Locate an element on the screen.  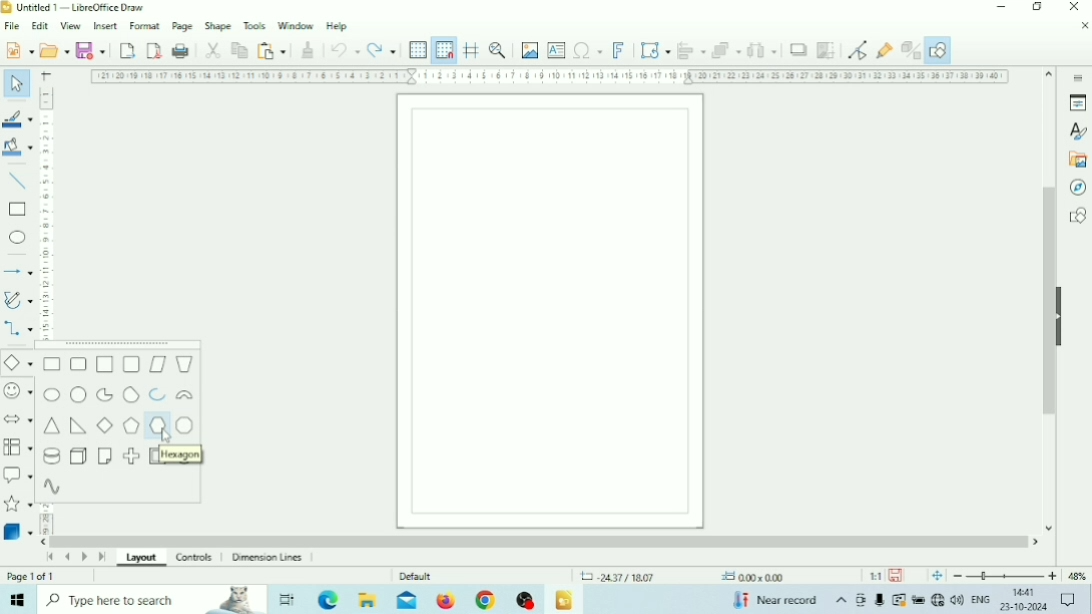
Circle pie is located at coordinates (104, 394).